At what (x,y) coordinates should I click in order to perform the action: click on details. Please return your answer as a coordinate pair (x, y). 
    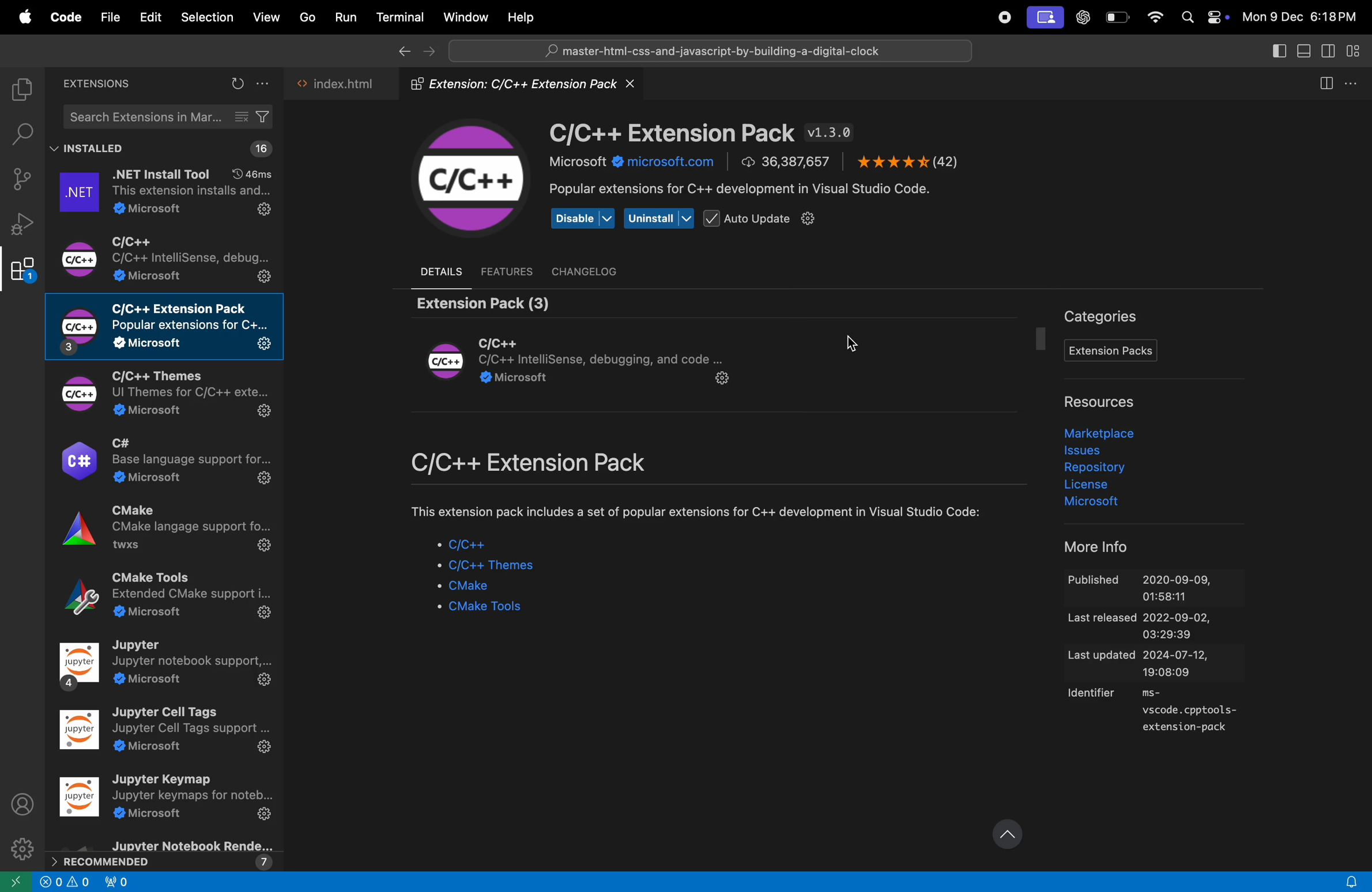
    Looking at the image, I should click on (446, 270).